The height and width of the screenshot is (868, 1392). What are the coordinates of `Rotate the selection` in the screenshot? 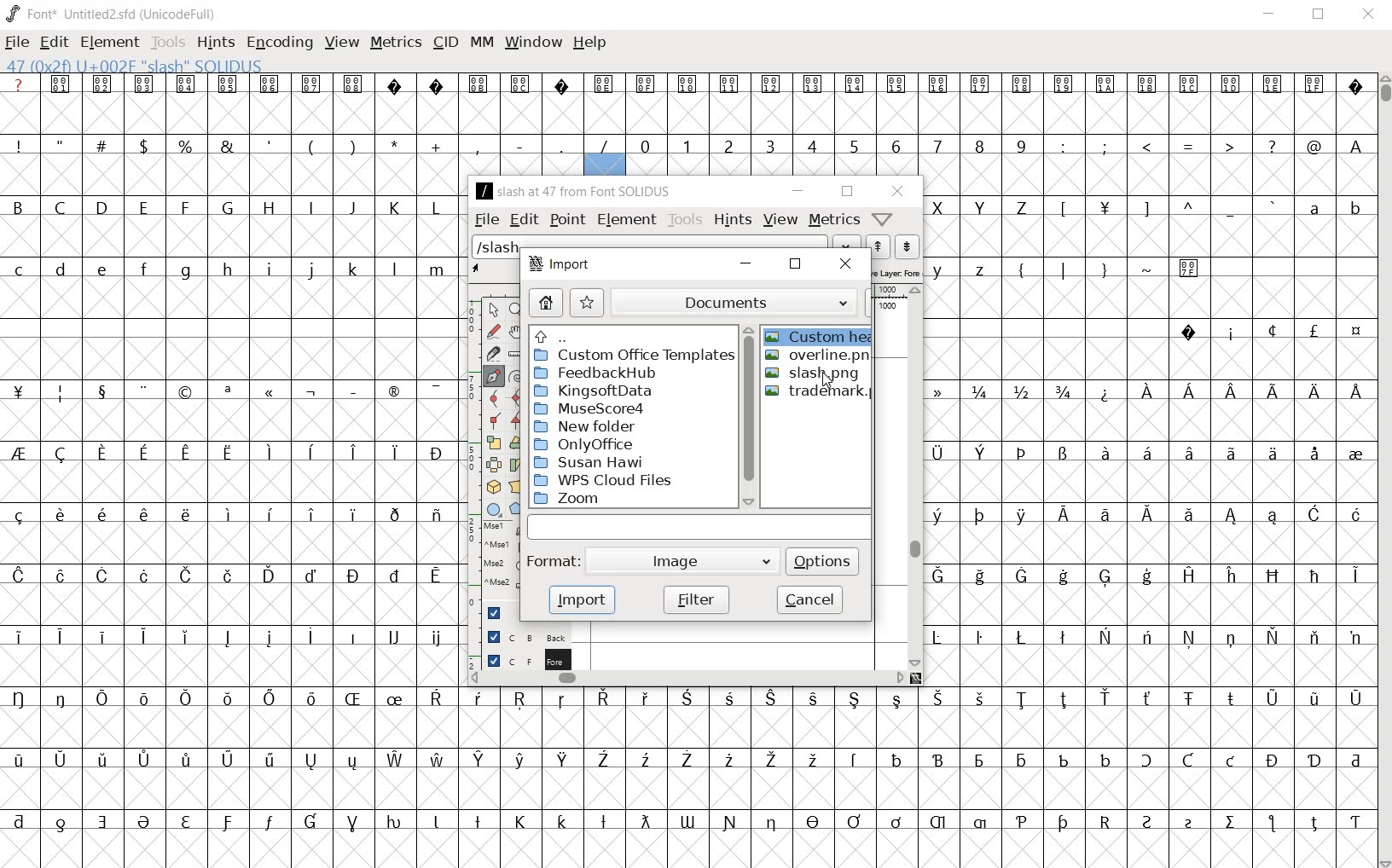 It's located at (516, 445).